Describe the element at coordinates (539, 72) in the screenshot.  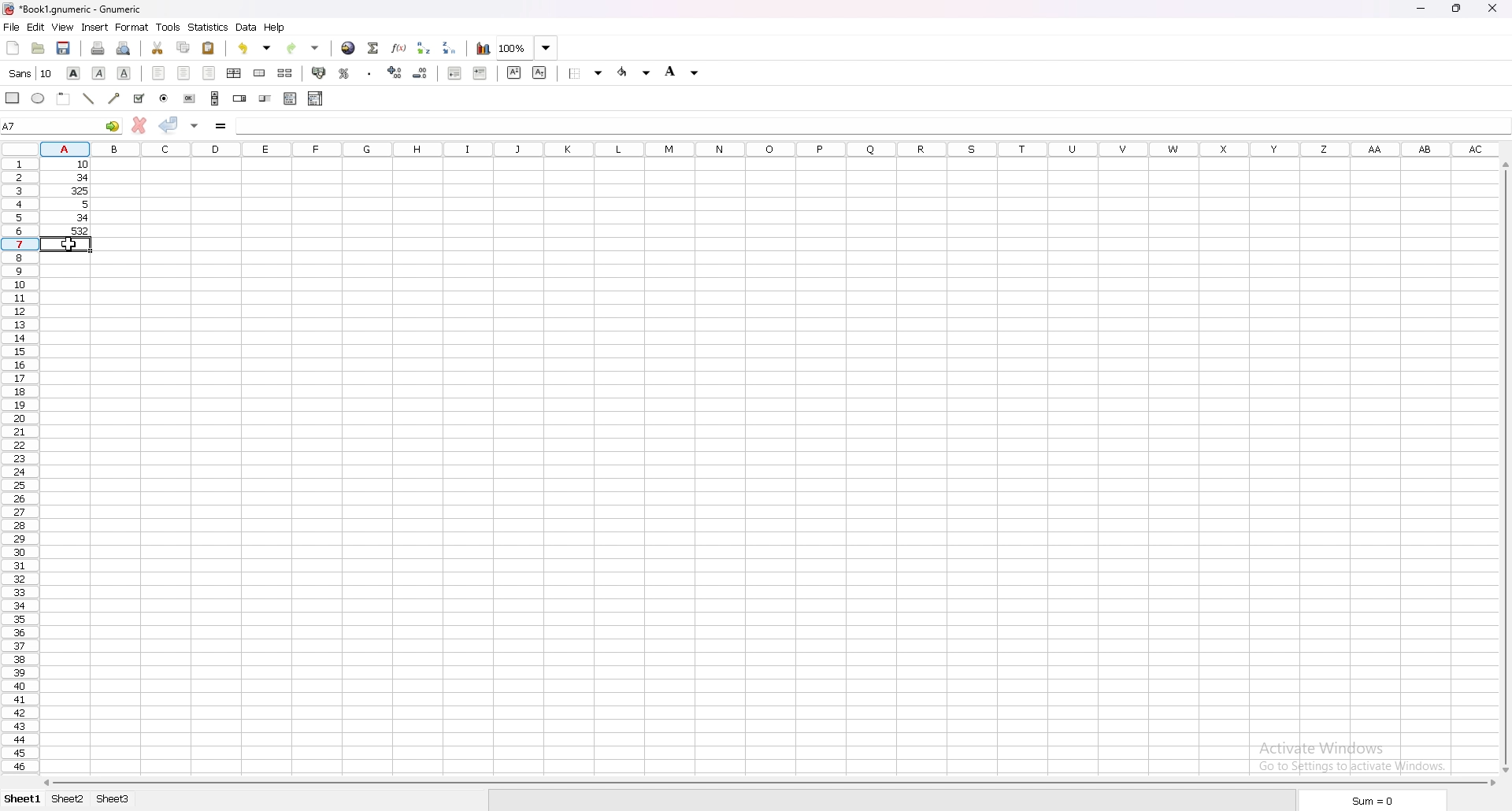
I see `subscript` at that location.